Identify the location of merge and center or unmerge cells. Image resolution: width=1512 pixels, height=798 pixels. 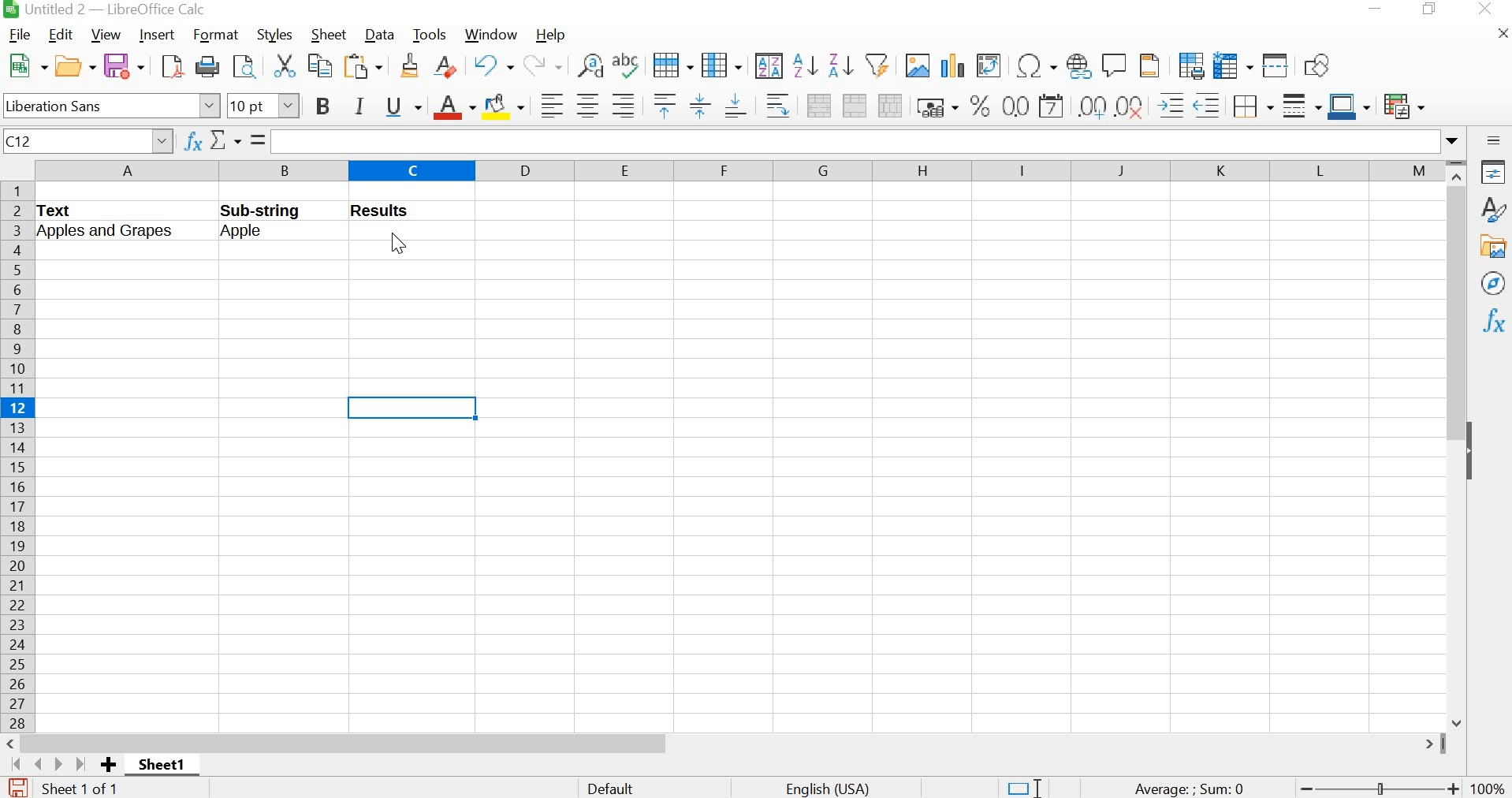
(818, 104).